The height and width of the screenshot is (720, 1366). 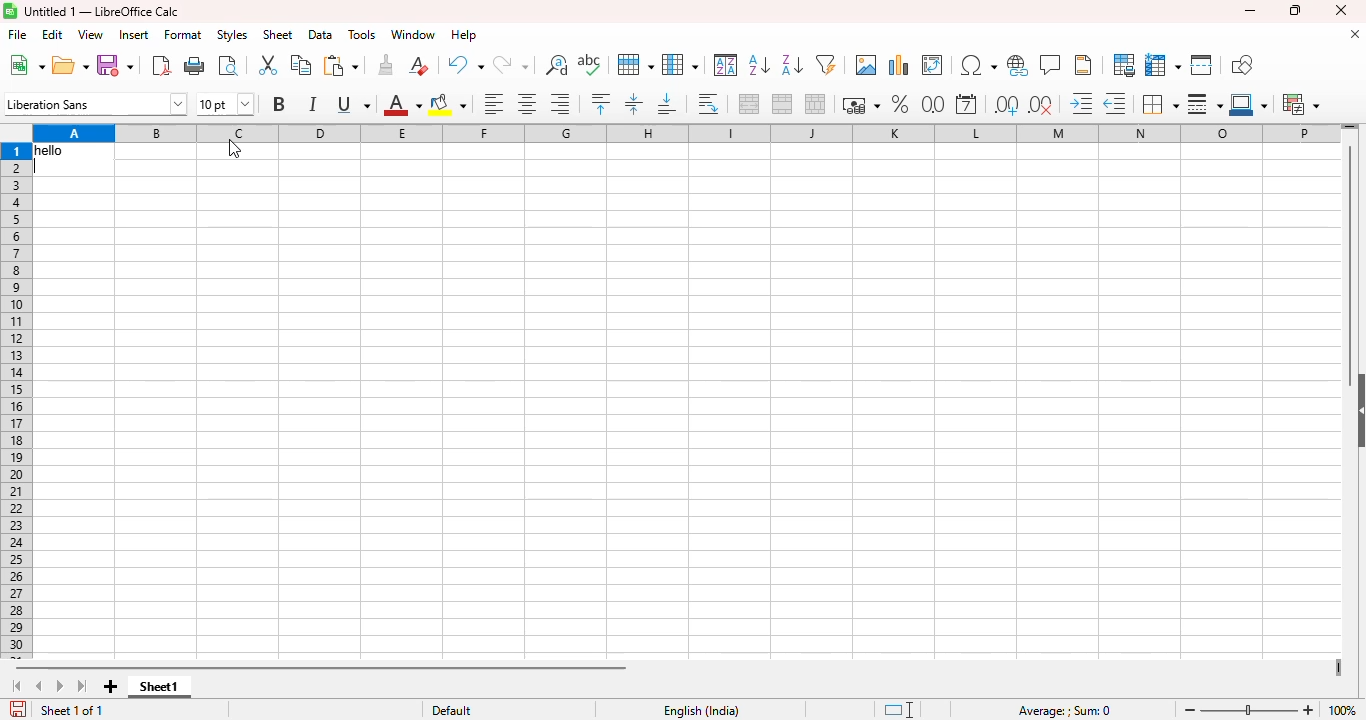 I want to click on align right, so click(x=561, y=104).